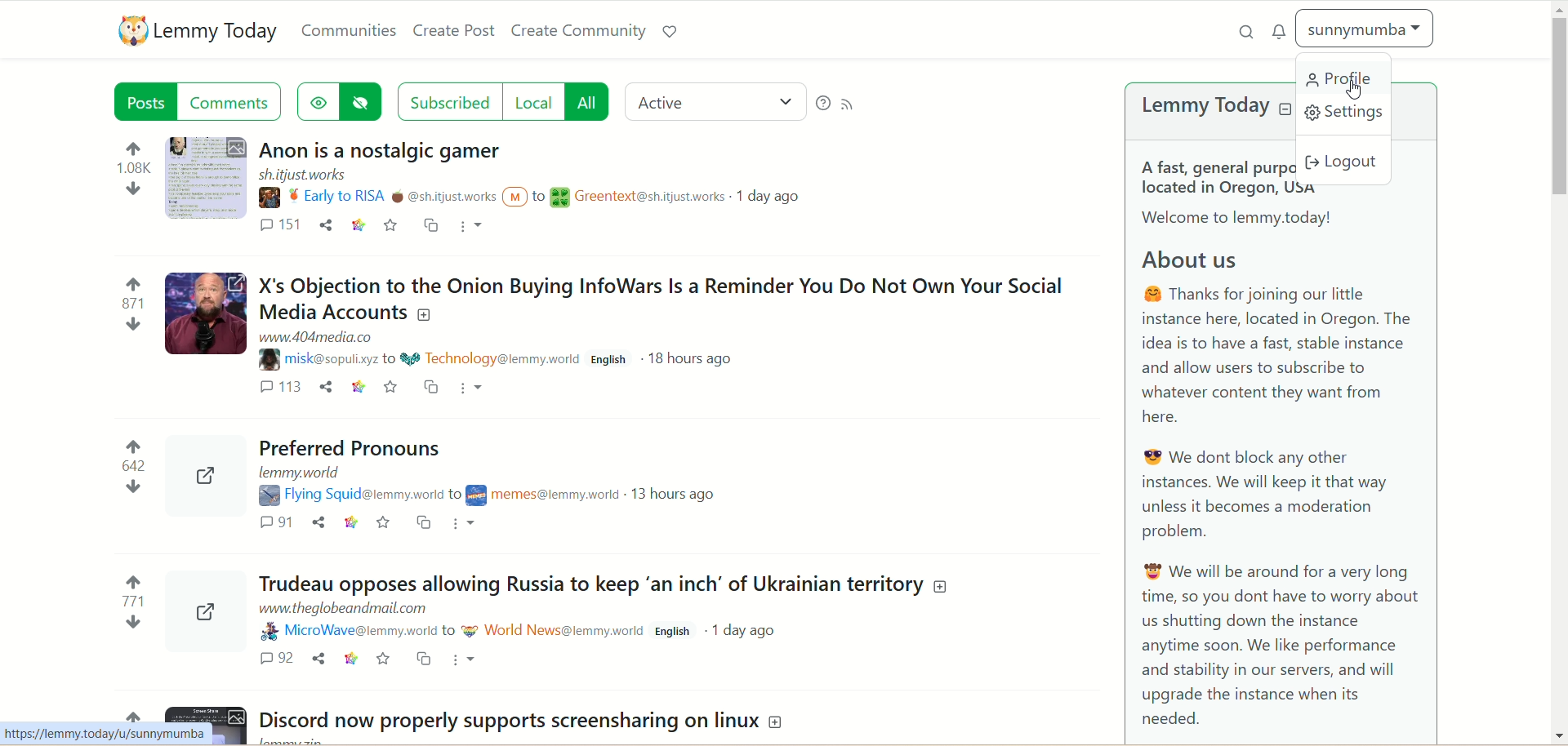  What do you see at coordinates (131, 609) in the screenshot?
I see `Votes` at bounding box center [131, 609].